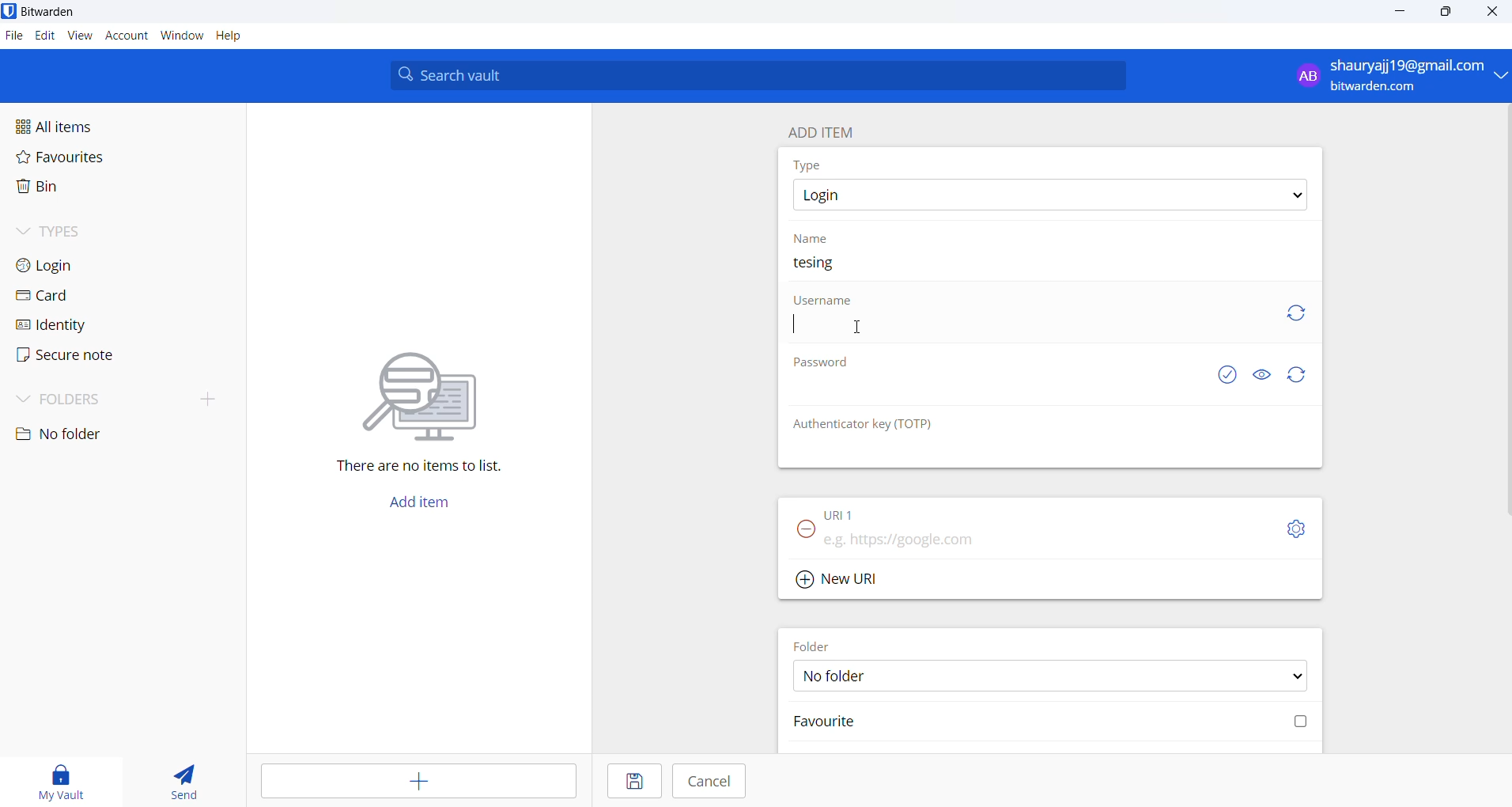  What do you see at coordinates (1044, 265) in the screenshot?
I see `Name text box` at bounding box center [1044, 265].